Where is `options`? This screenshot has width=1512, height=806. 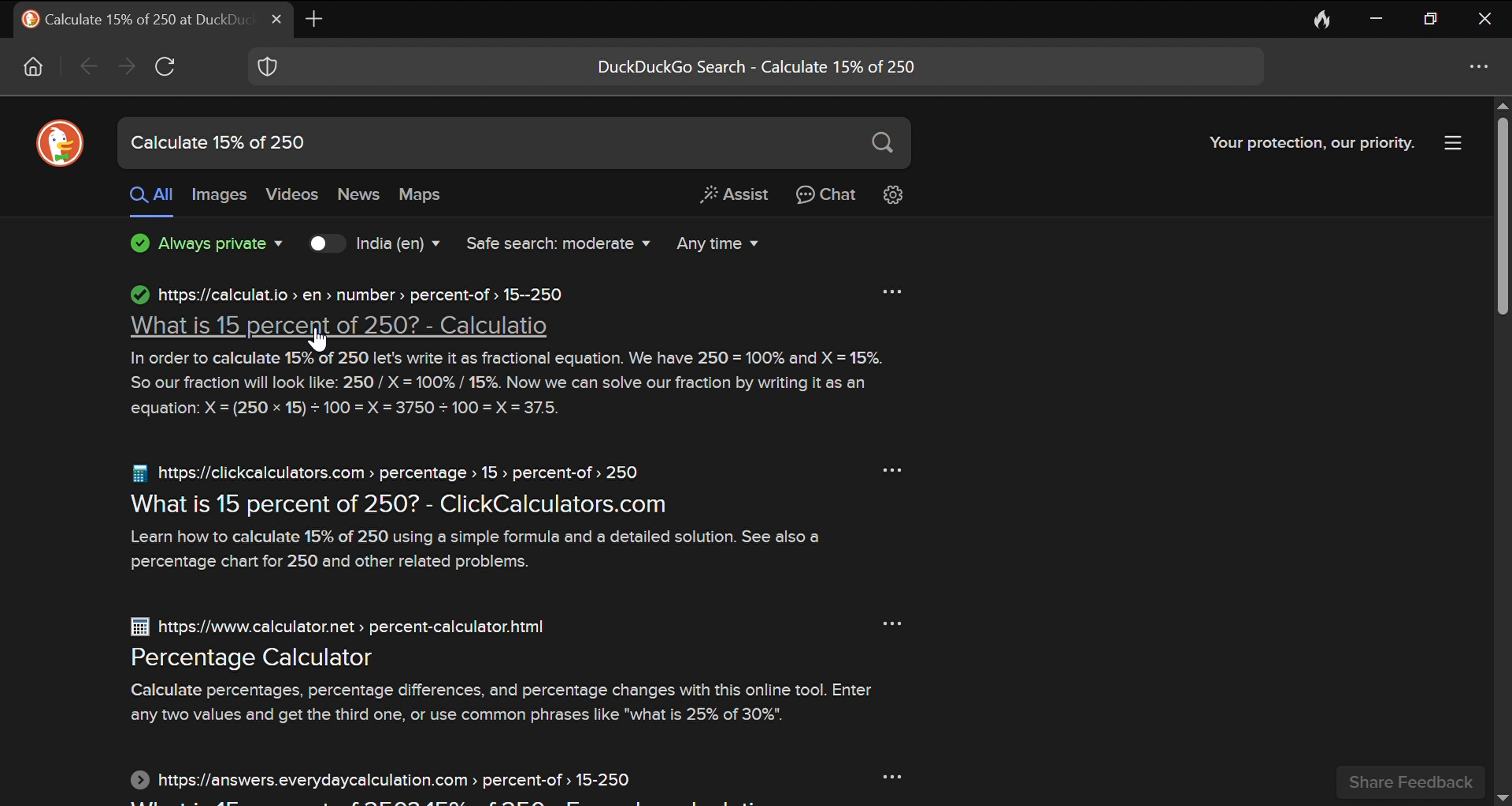 options is located at coordinates (899, 470).